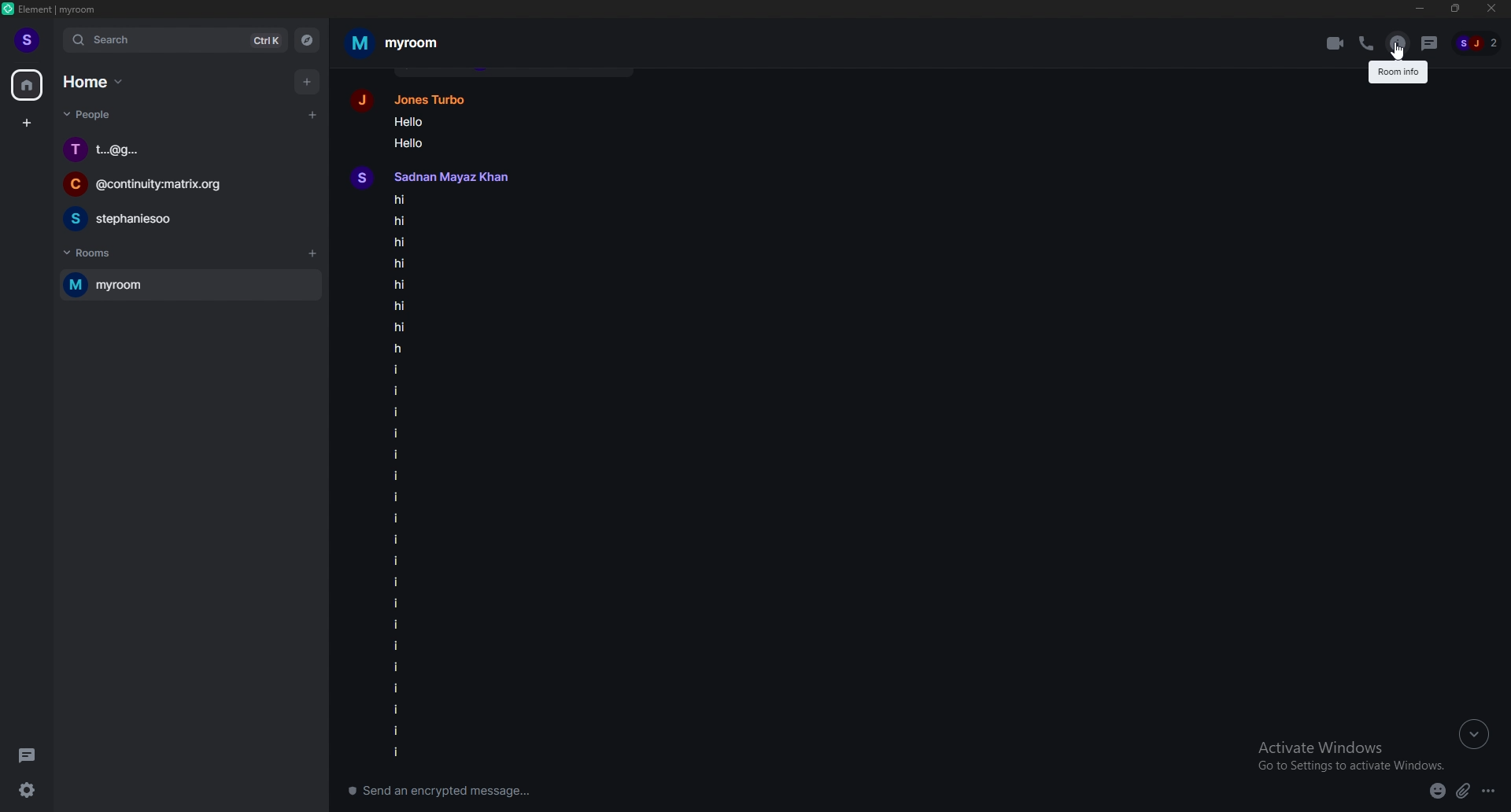 The height and width of the screenshot is (812, 1511). I want to click on chat, so click(186, 150).